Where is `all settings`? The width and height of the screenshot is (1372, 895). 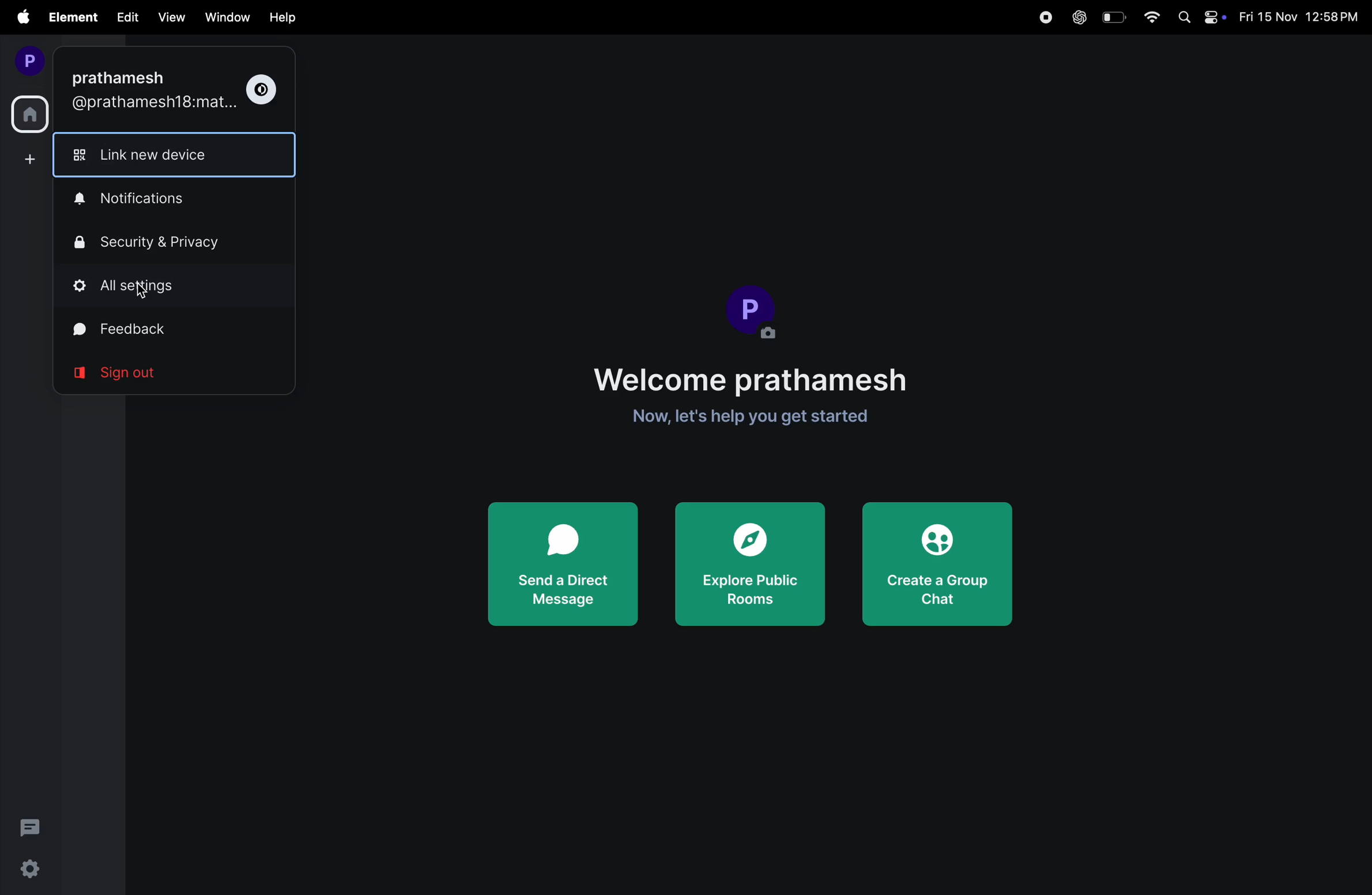
all settings is located at coordinates (176, 288).